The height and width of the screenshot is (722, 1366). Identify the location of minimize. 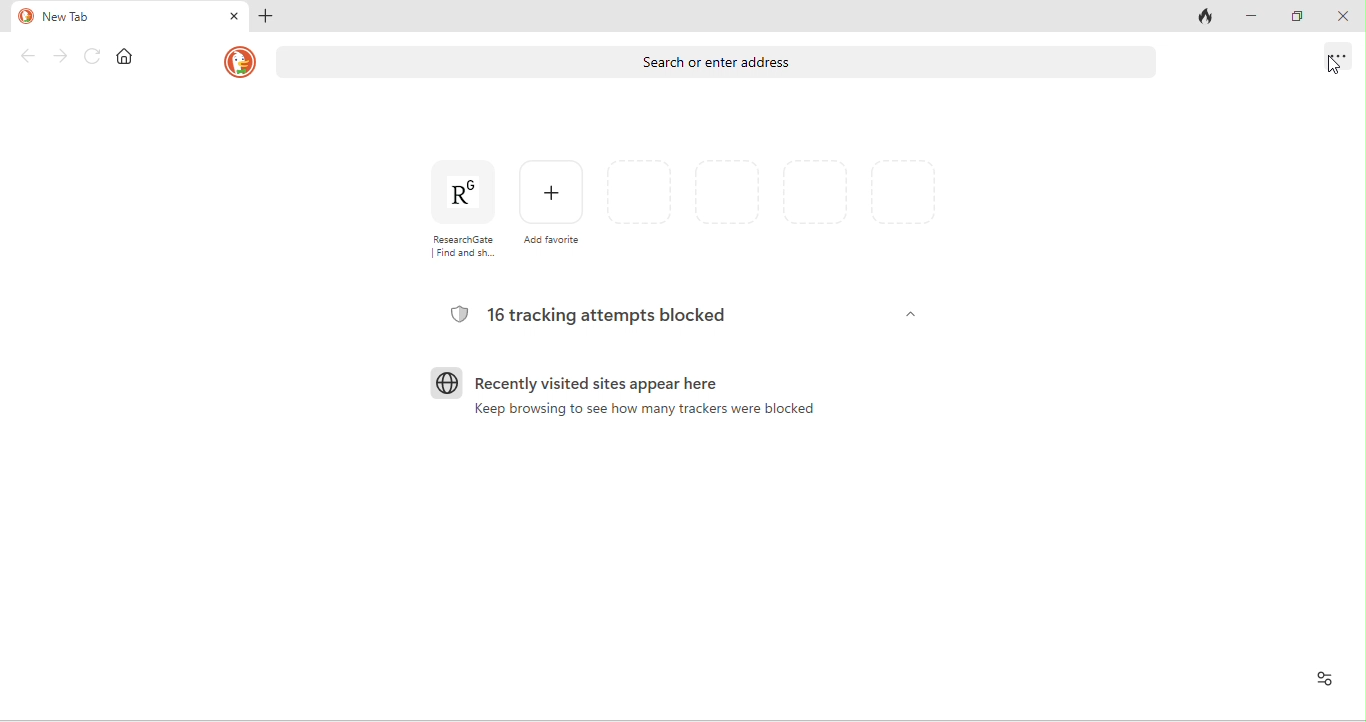
(1259, 18).